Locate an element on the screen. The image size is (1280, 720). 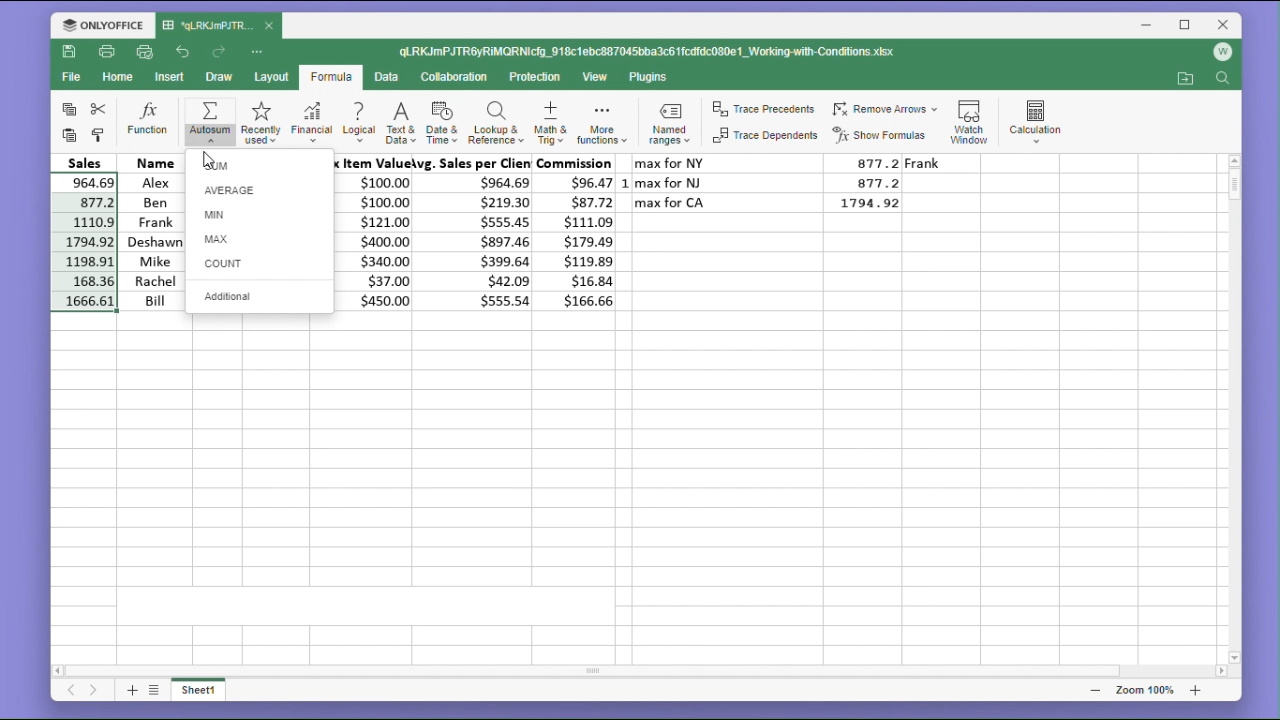
protection is located at coordinates (537, 77).